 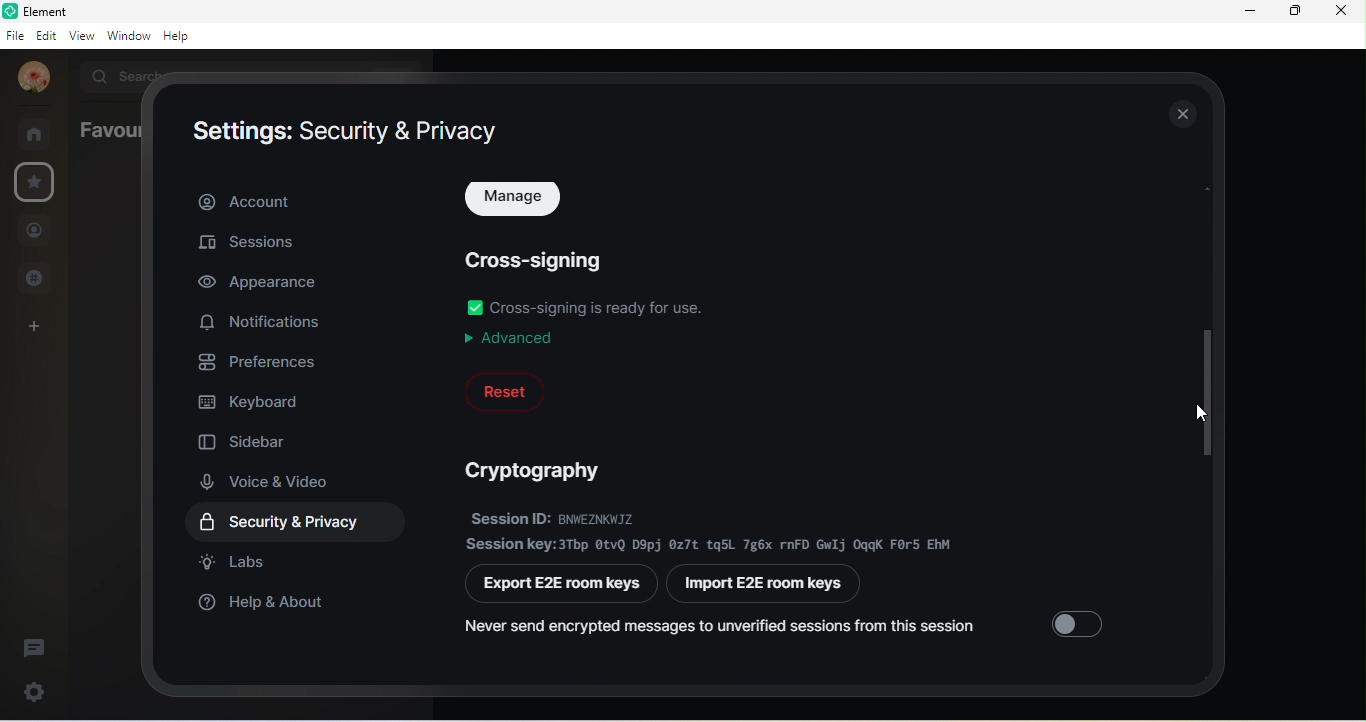 What do you see at coordinates (541, 470) in the screenshot?
I see `cryptography` at bounding box center [541, 470].